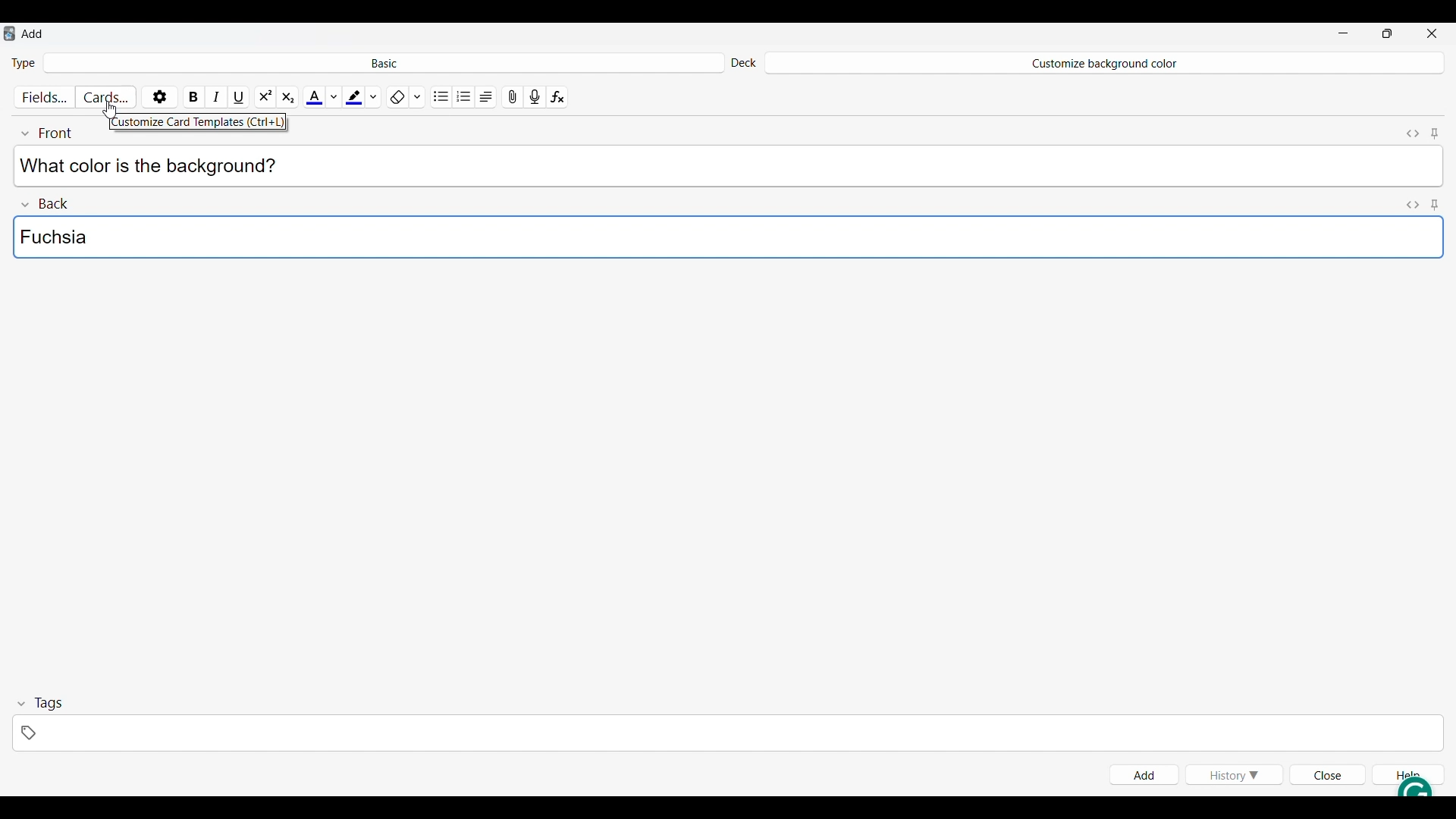  I want to click on Indicates Type of card, so click(24, 62).